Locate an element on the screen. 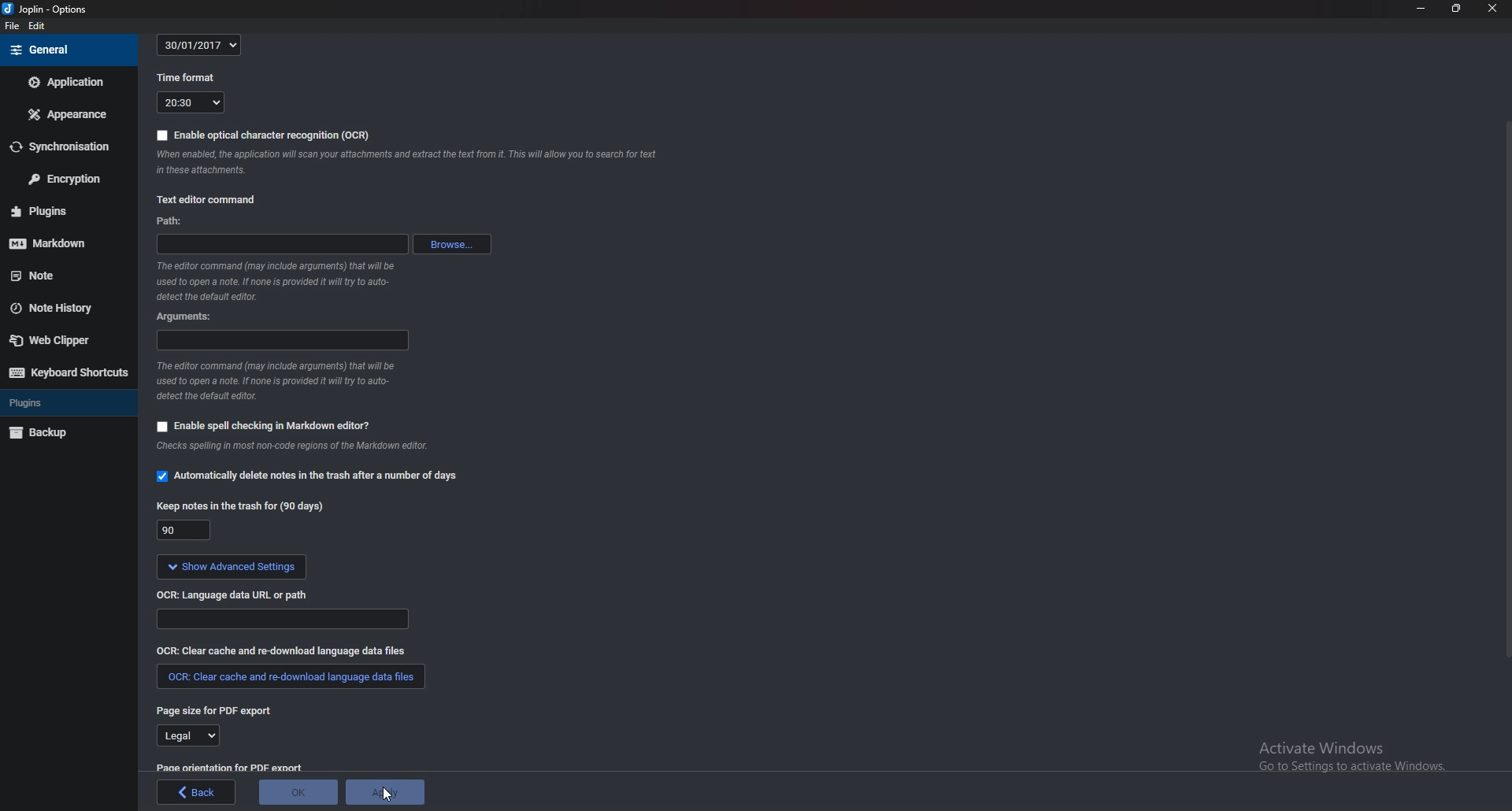 This screenshot has width=1512, height=811. 30/01/2017 is located at coordinates (202, 43).